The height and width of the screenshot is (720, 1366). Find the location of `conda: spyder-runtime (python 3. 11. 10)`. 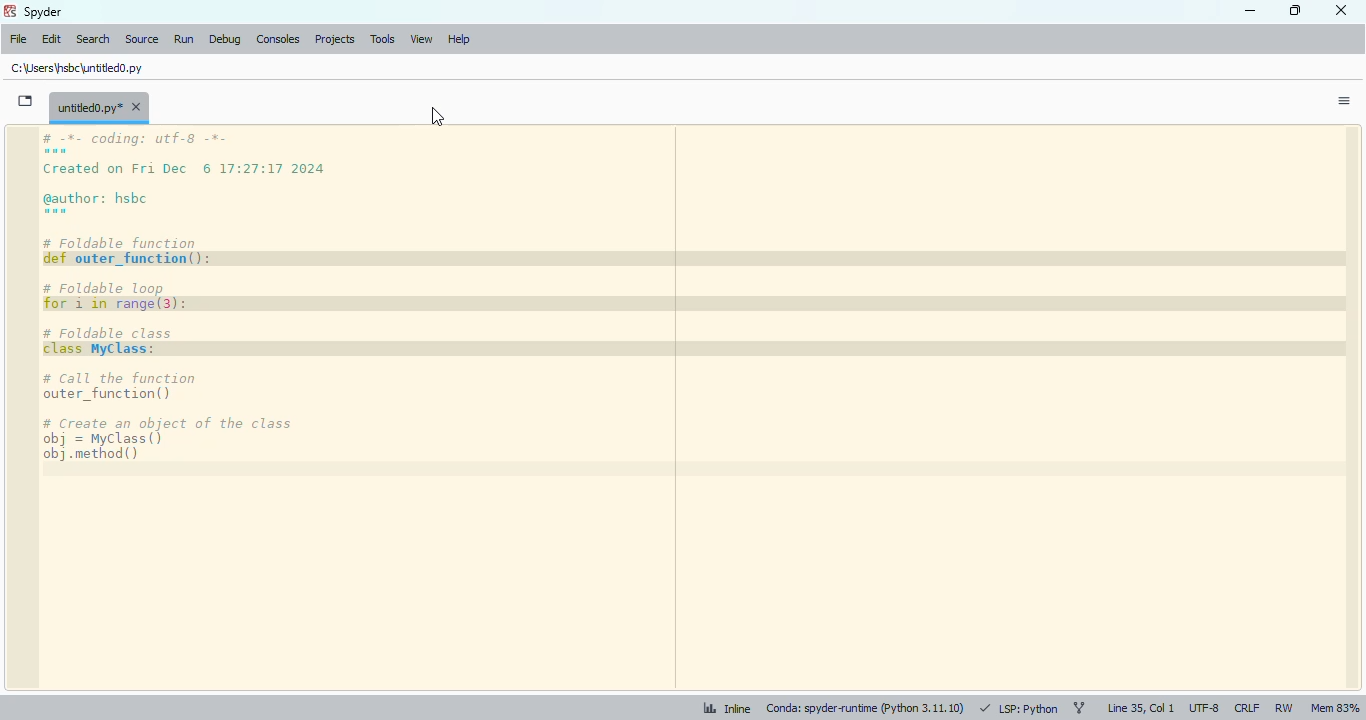

conda: spyder-runtime (python 3. 11. 10) is located at coordinates (866, 707).